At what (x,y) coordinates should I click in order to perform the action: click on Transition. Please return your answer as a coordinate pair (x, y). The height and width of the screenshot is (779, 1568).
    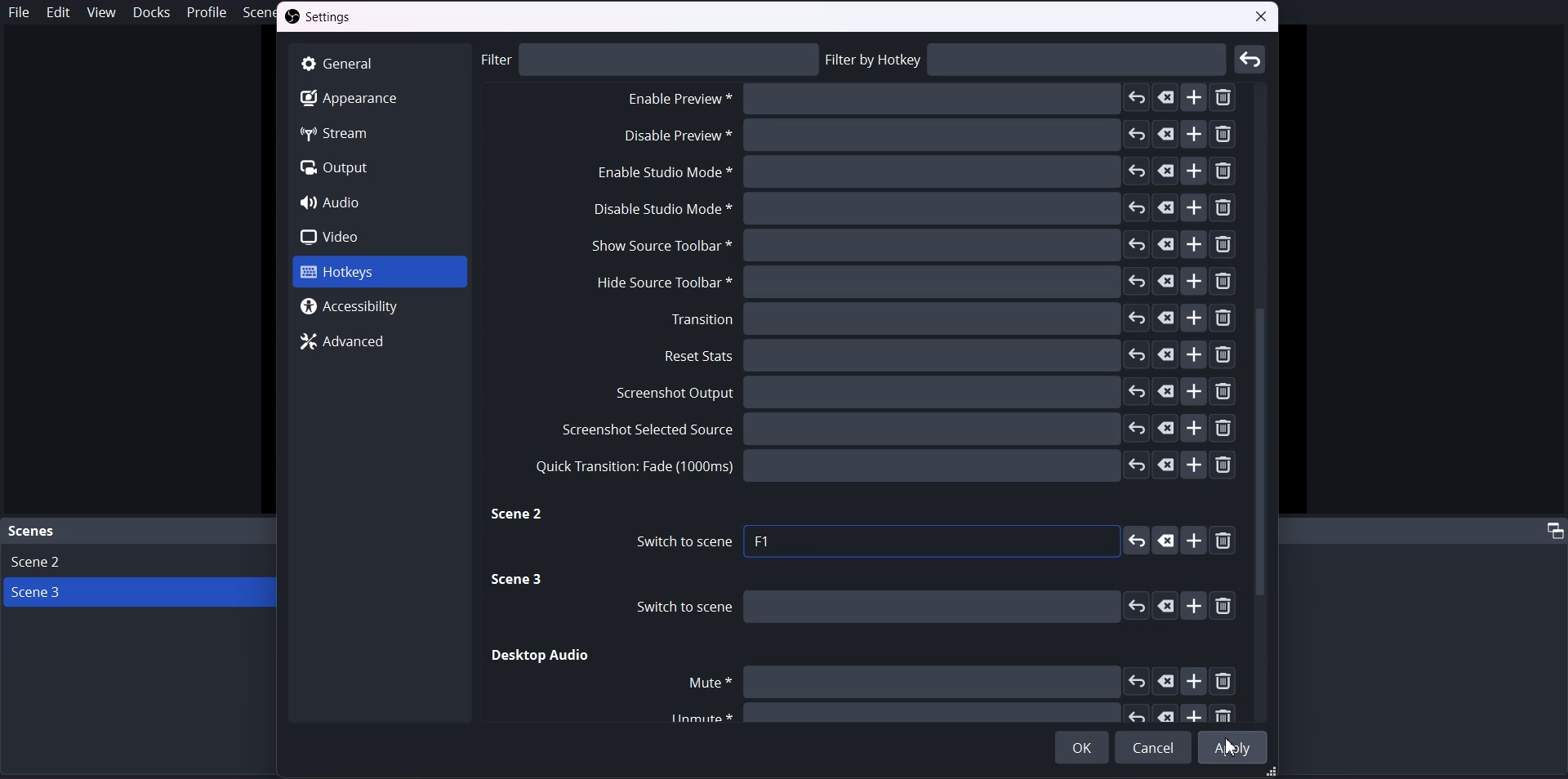
    Looking at the image, I should click on (951, 318).